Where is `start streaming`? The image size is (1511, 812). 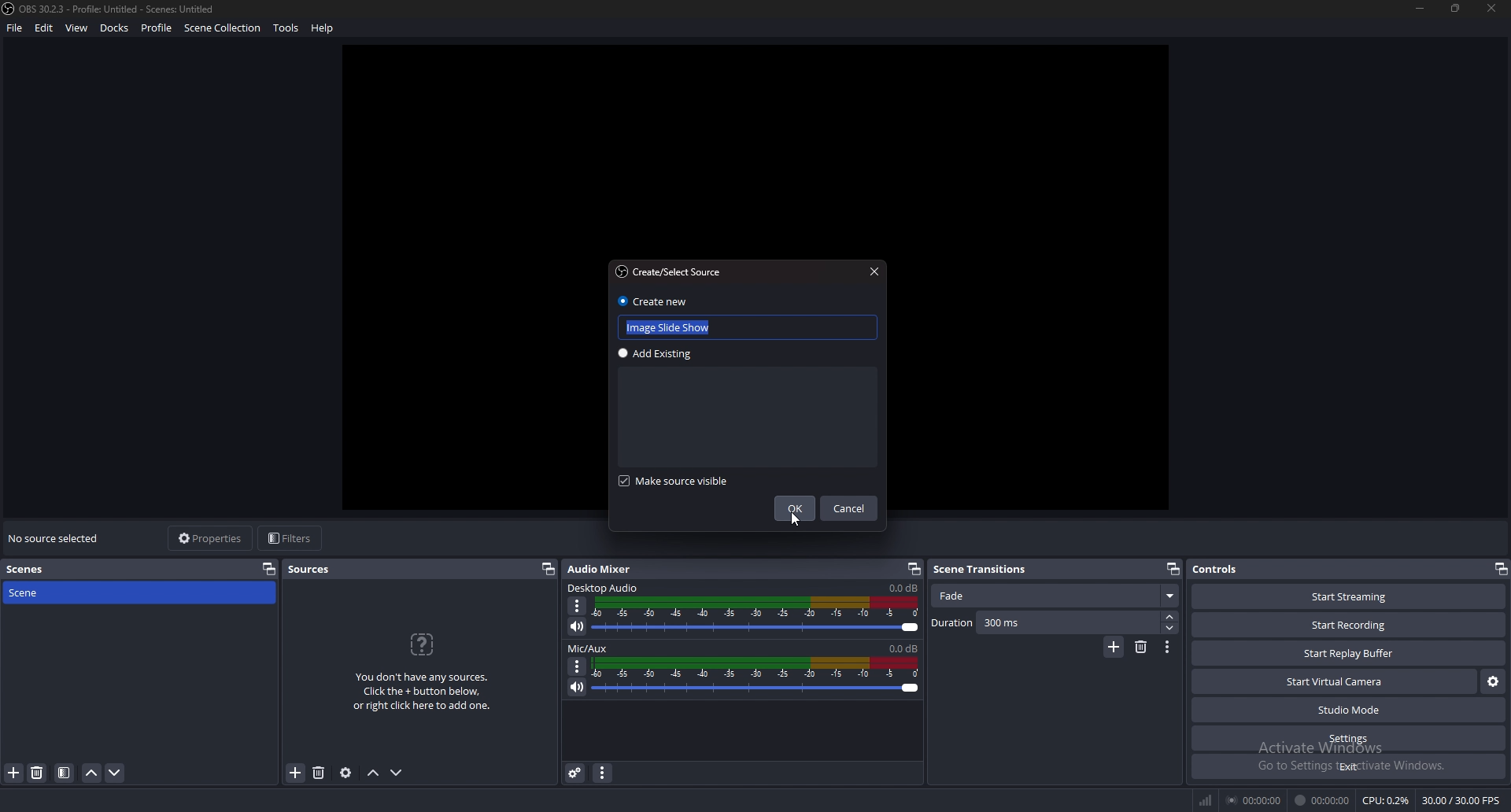 start streaming is located at coordinates (1350, 599).